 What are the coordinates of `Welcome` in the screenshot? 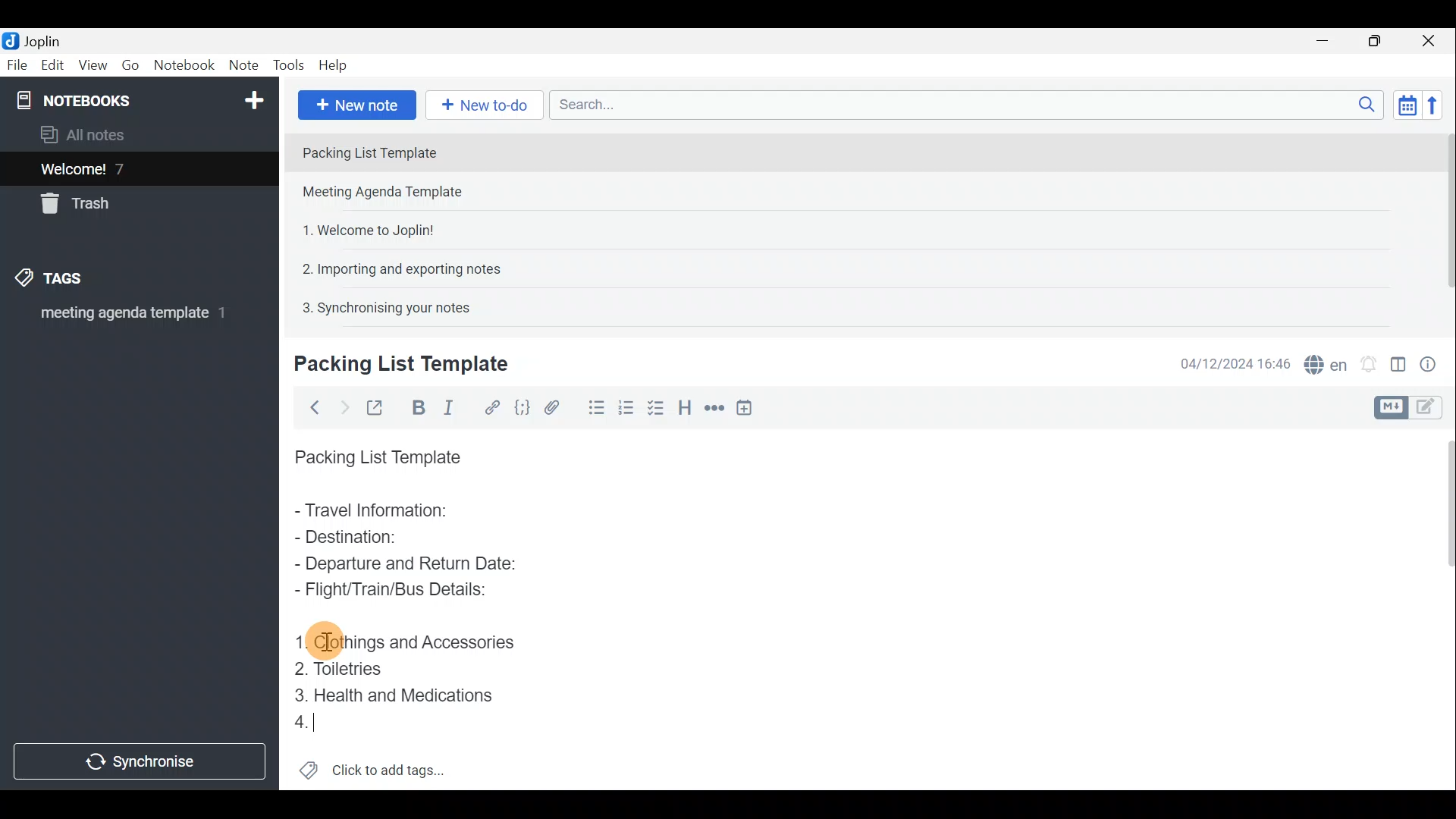 It's located at (116, 168).